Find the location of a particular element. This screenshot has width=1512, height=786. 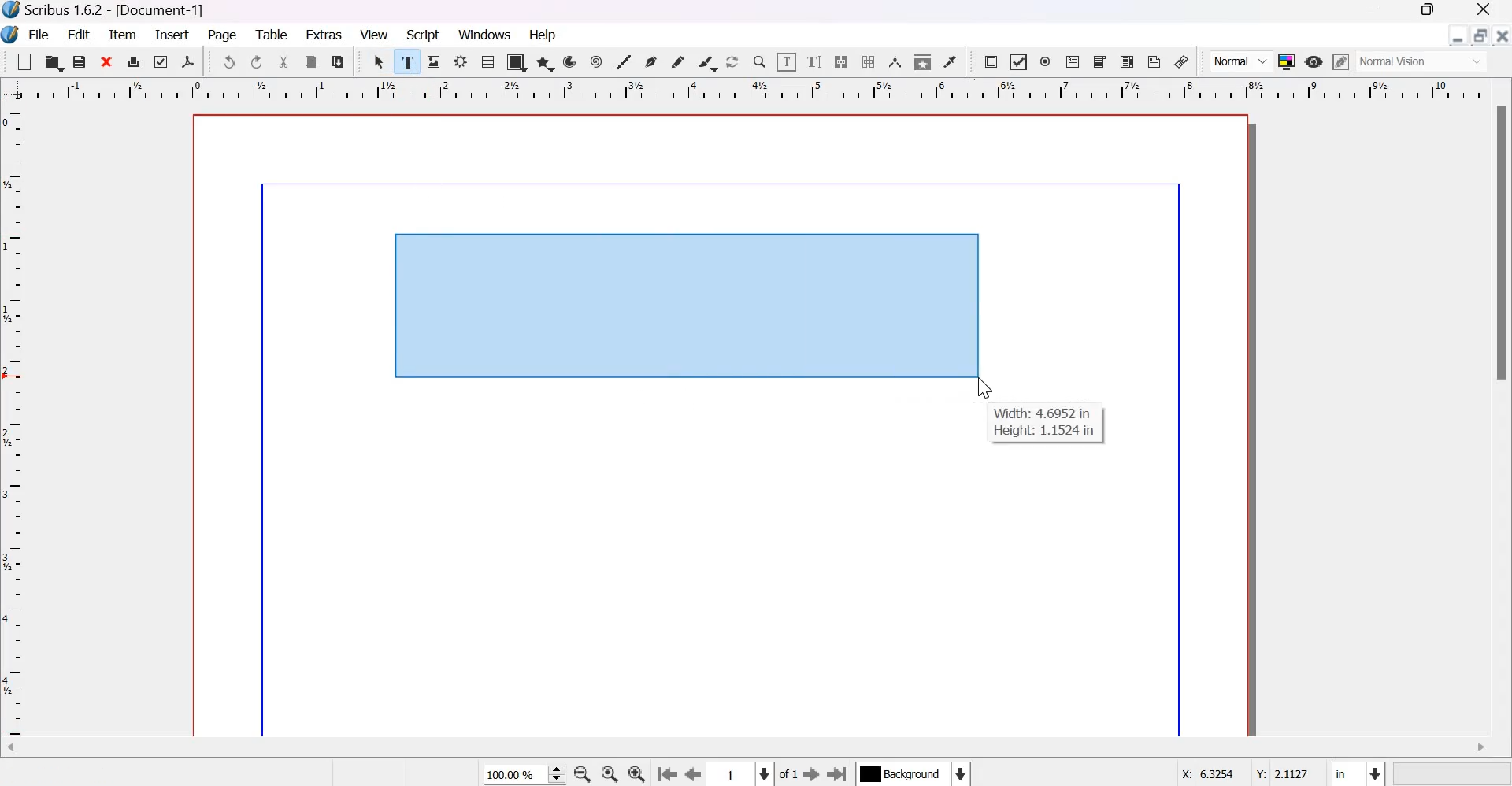

copy item properties is located at coordinates (923, 61).